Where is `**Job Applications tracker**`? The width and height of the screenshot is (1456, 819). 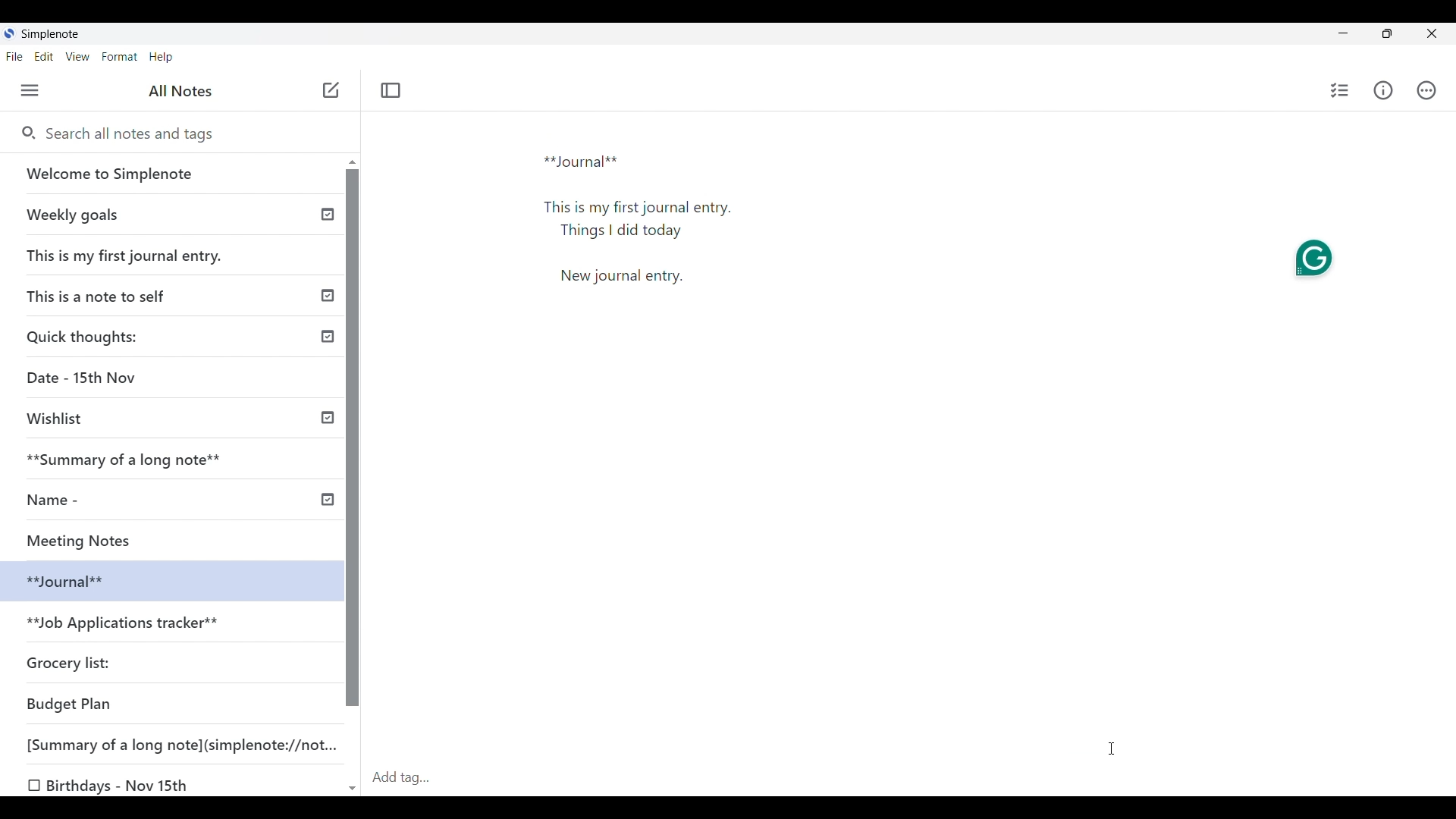
**Job Applications tracker** is located at coordinates (126, 624).